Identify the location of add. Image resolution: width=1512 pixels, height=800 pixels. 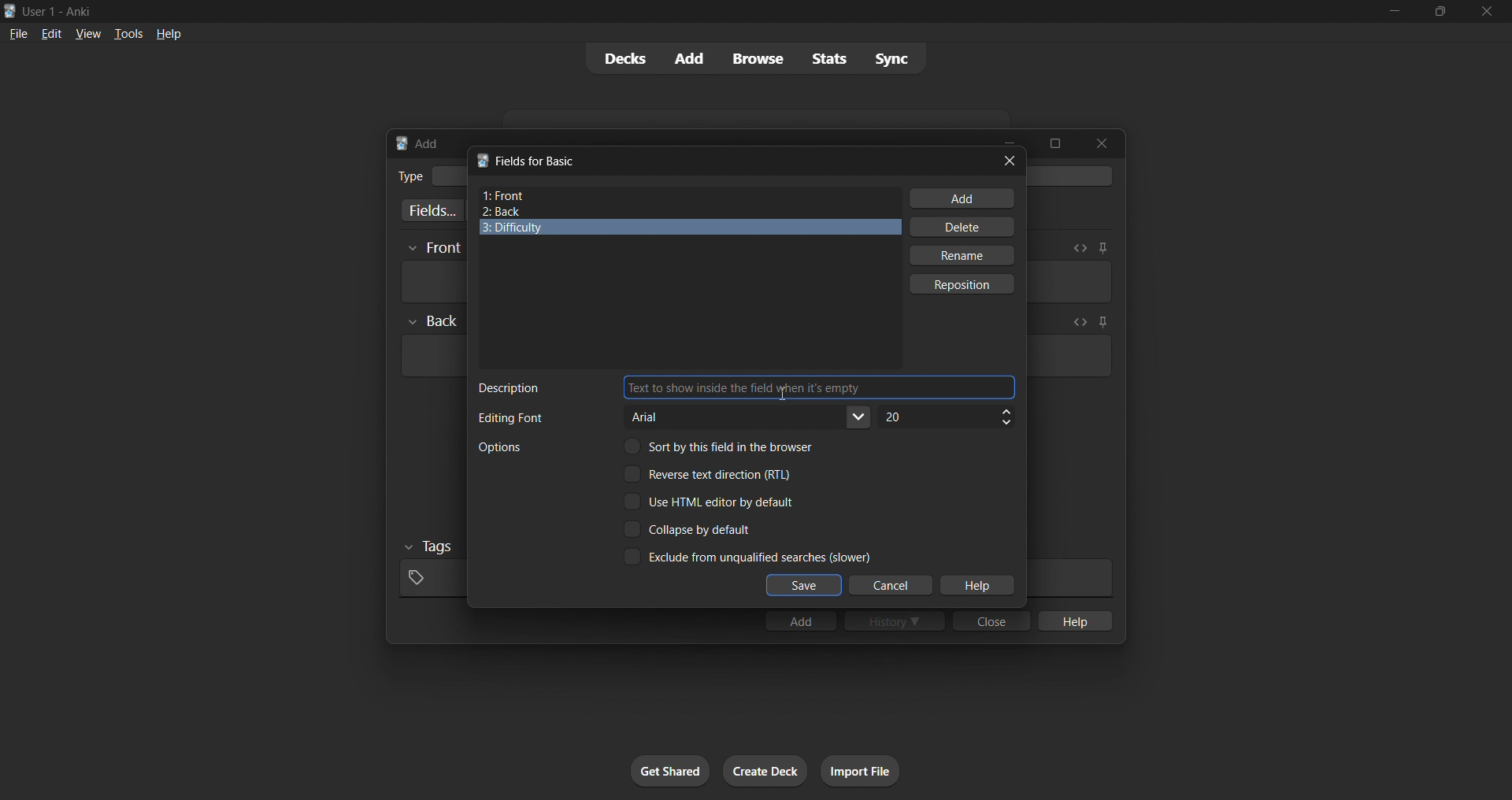
(691, 59).